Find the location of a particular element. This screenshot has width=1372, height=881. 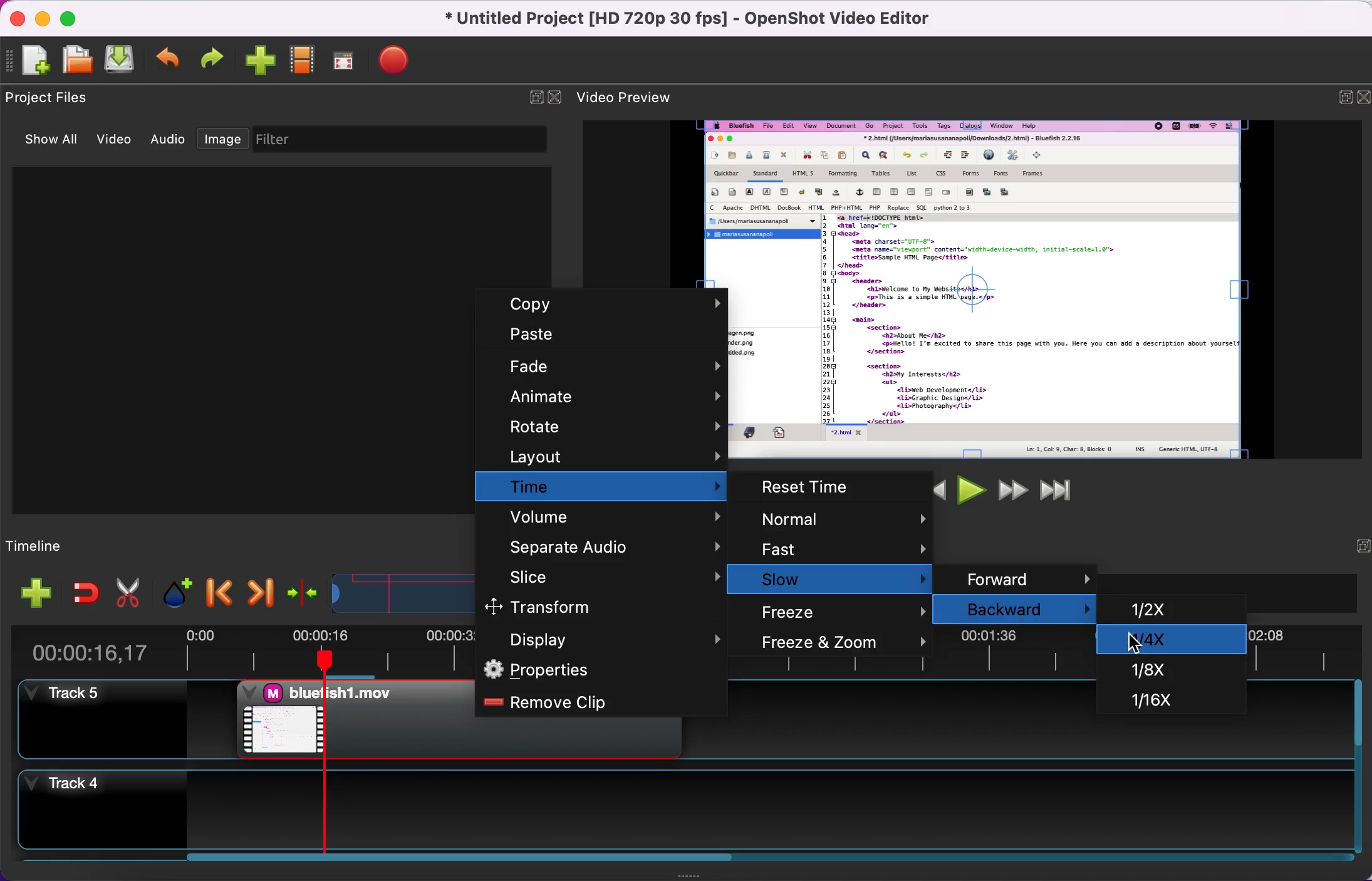

display is located at coordinates (601, 638).